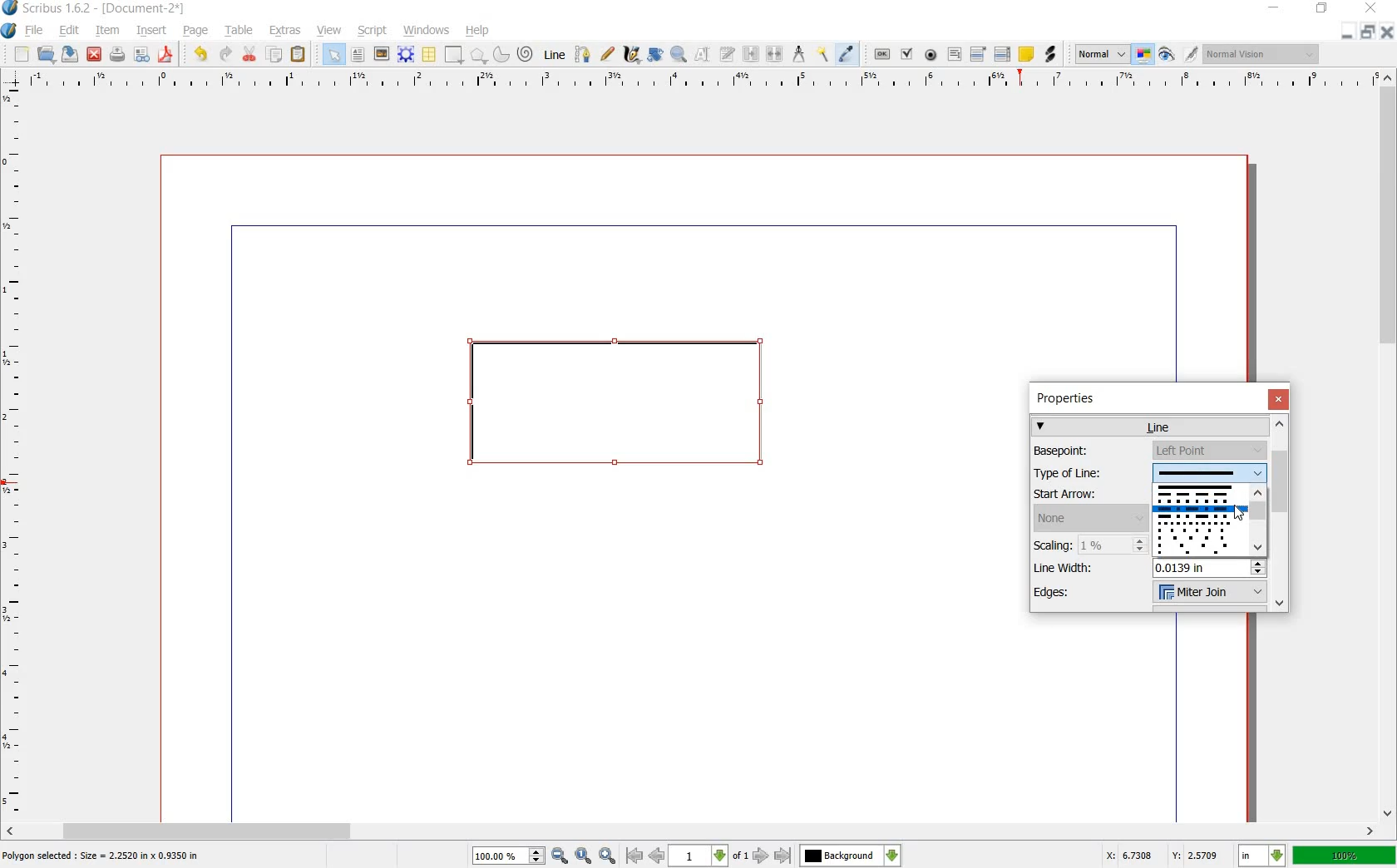 The height and width of the screenshot is (868, 1397). Describe the element at coordinates (851, 856) in the screenshot. I see `select the current layer` at that location.